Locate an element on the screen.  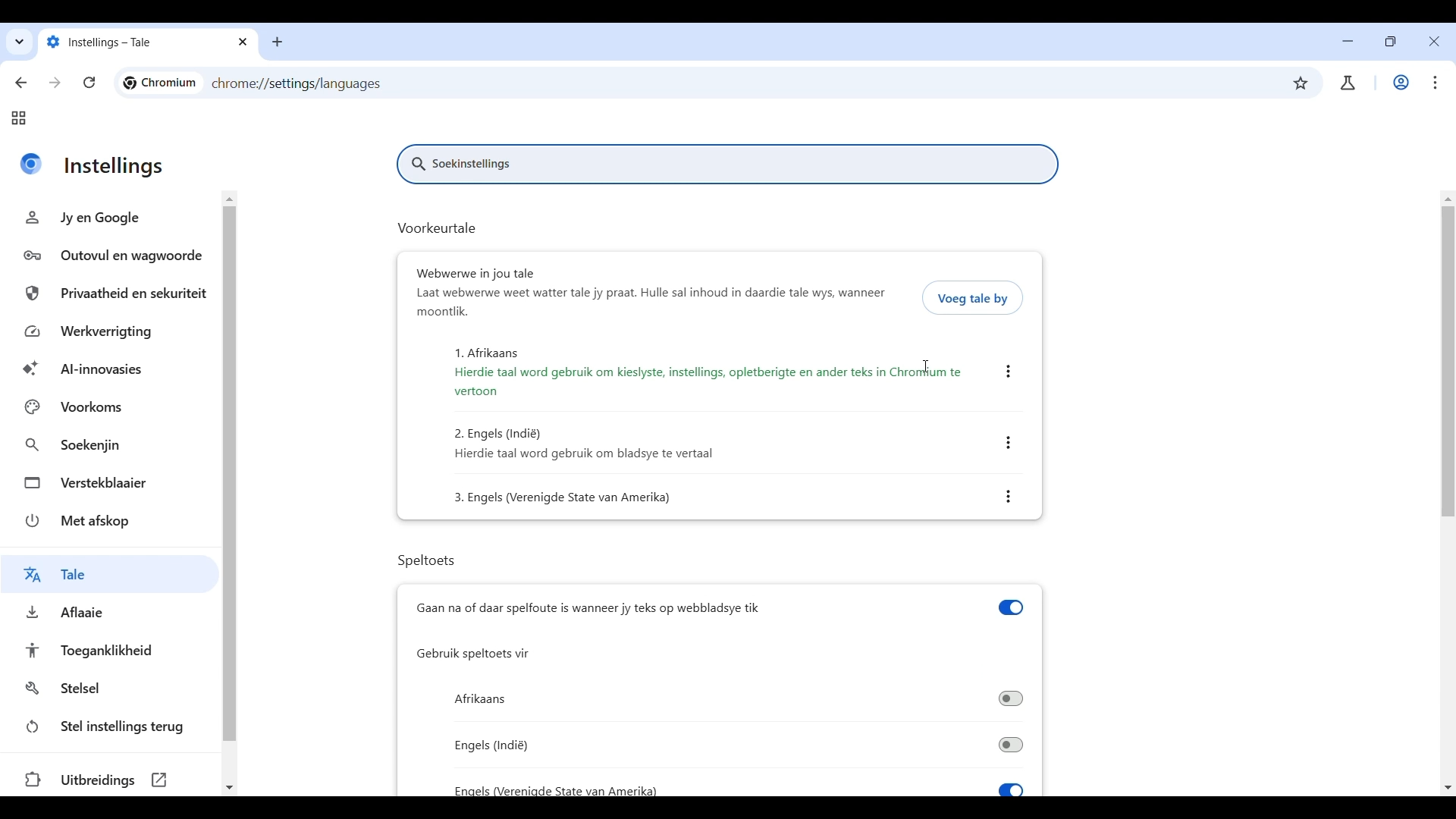
Laat webwerwe weet water tale jy praat. Hulle sal inhoud in daardie tale wys, wanneer
moontlik. is located at coordinates (653, 303).